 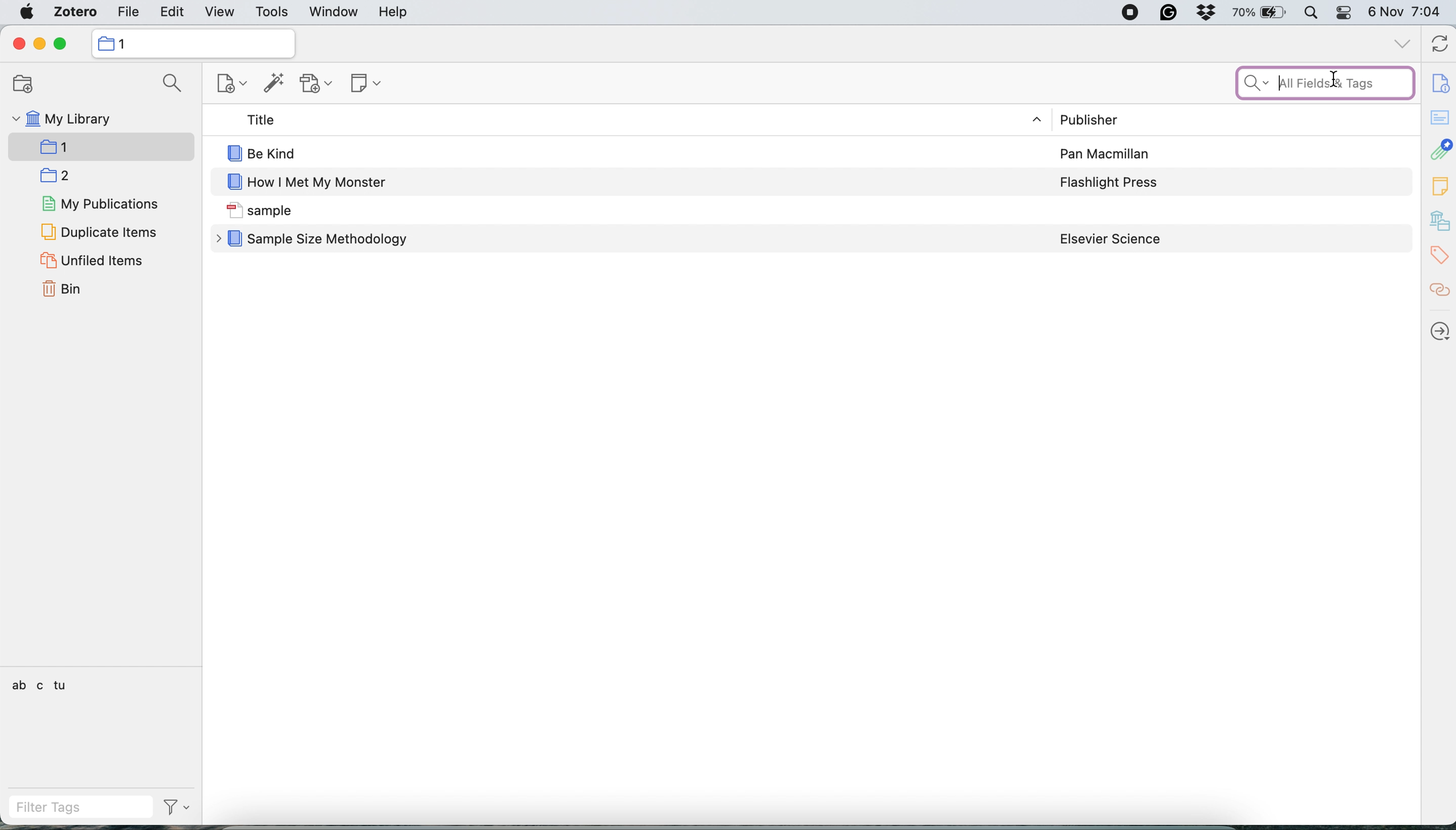 What do you see at coordinates (401, 13) in the screenshot?
I see `help` at bounding box center [401, 13].